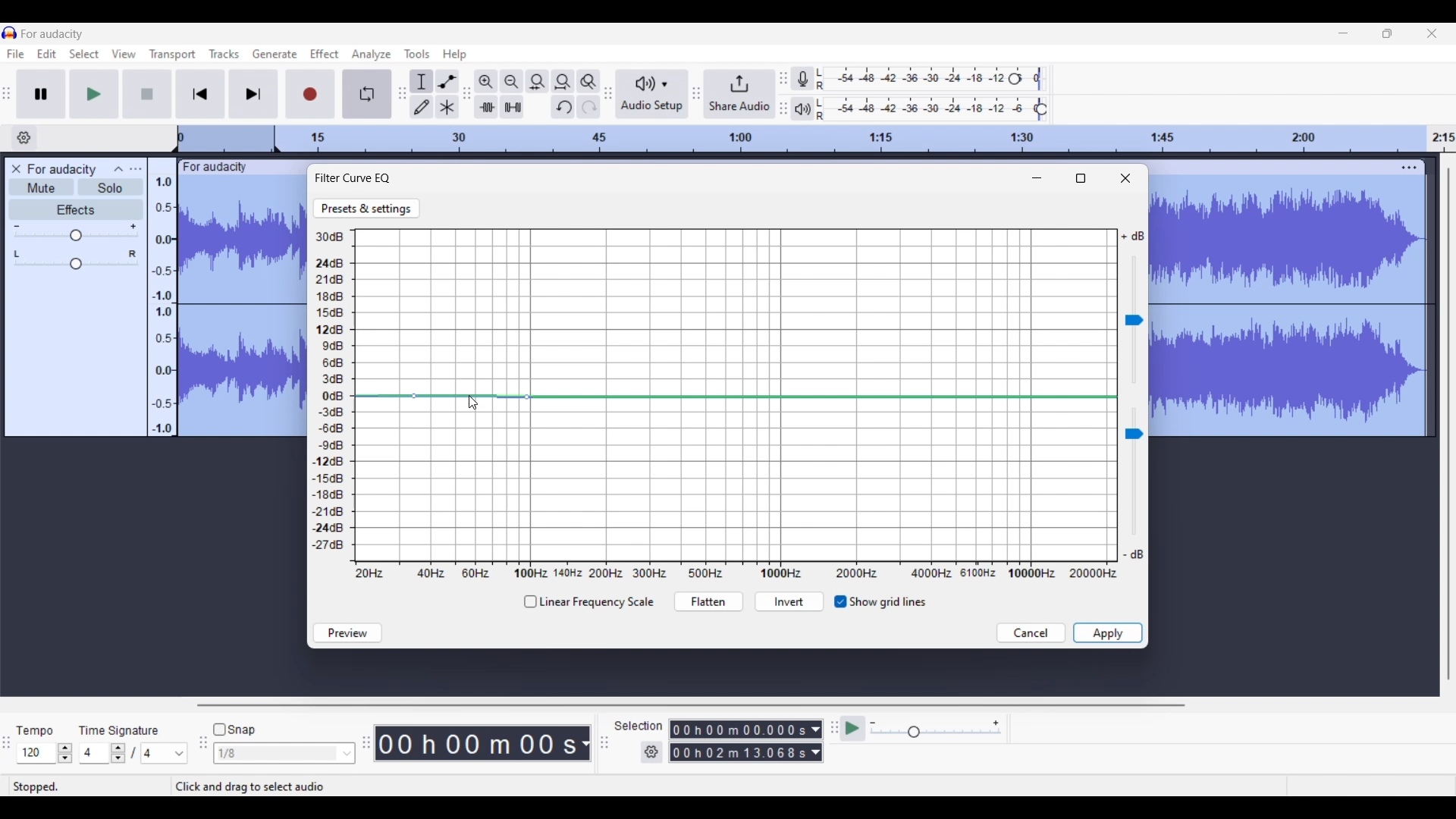  What do you see at coordinates (422, 107) in the screenshot?
I see `Draw tool` at bounding box center [422, 107].